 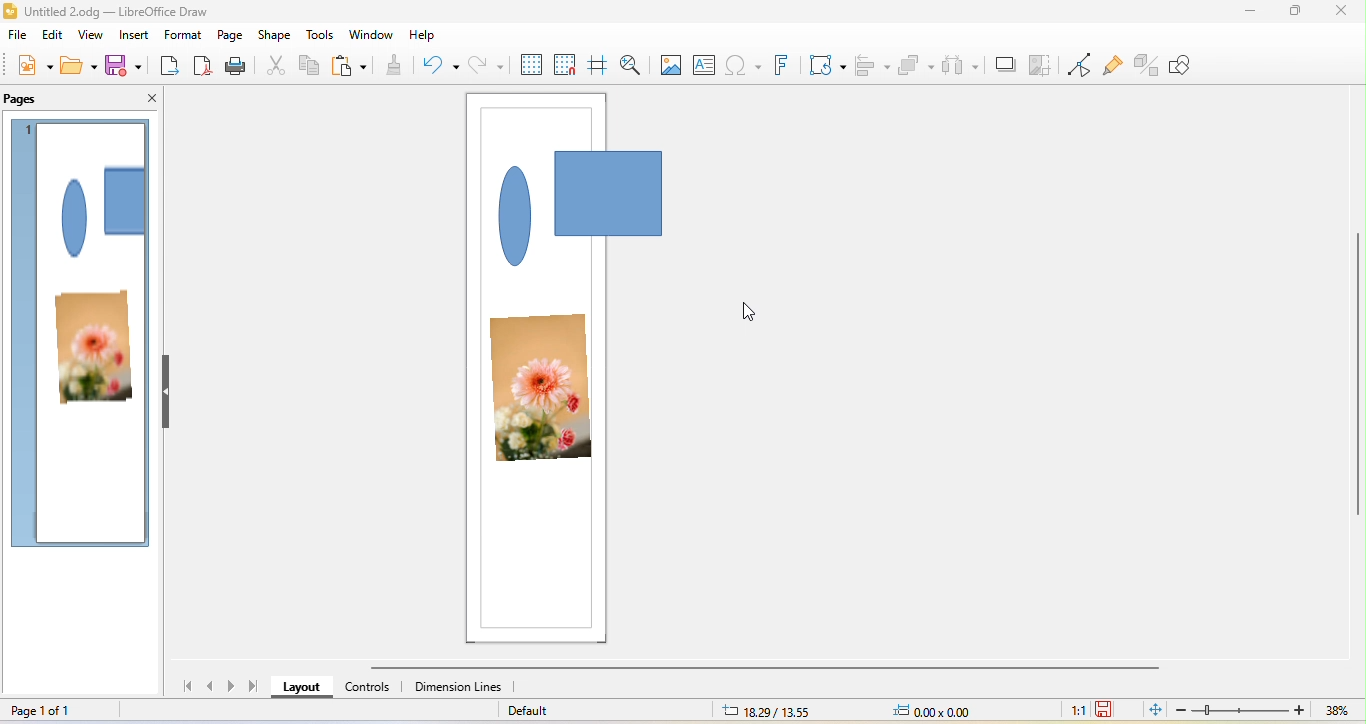 What do you see at coordinates (582, 711) in the screenshot?
I see `default` at bounding box center [582, 711].